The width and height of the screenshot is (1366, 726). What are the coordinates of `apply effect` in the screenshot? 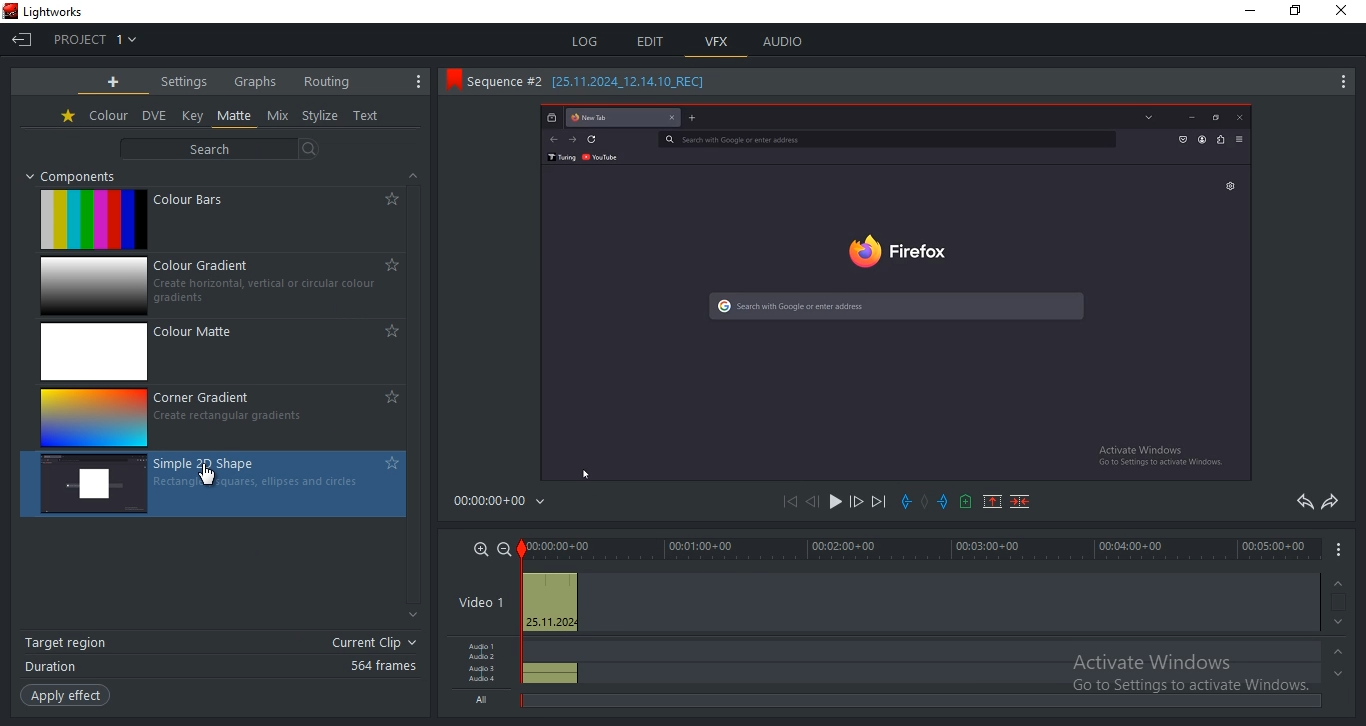 It's located at (64, 696).